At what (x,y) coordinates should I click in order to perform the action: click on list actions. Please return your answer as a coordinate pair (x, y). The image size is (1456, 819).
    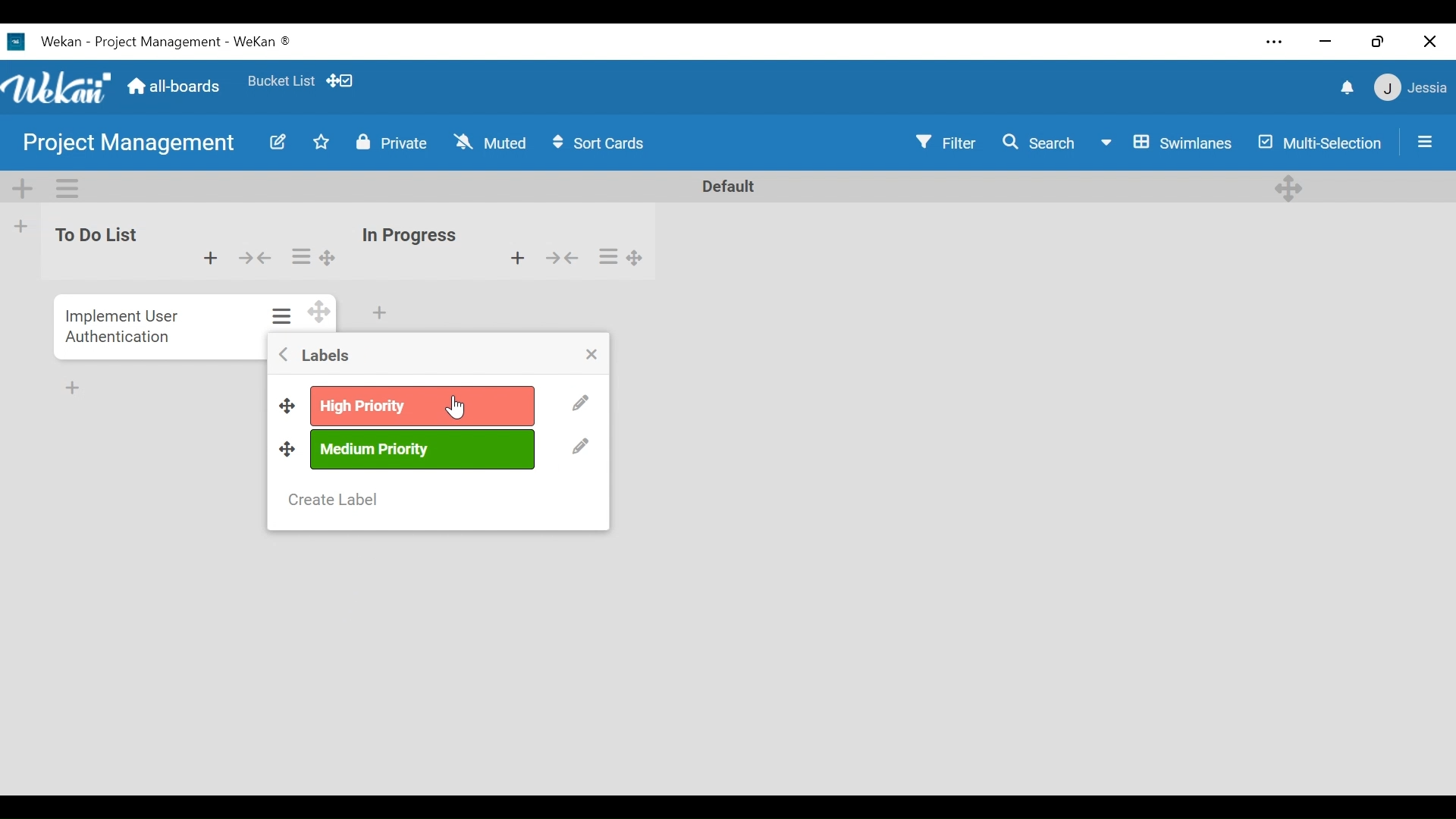
    Looking at the image, I should click on (610, 257).